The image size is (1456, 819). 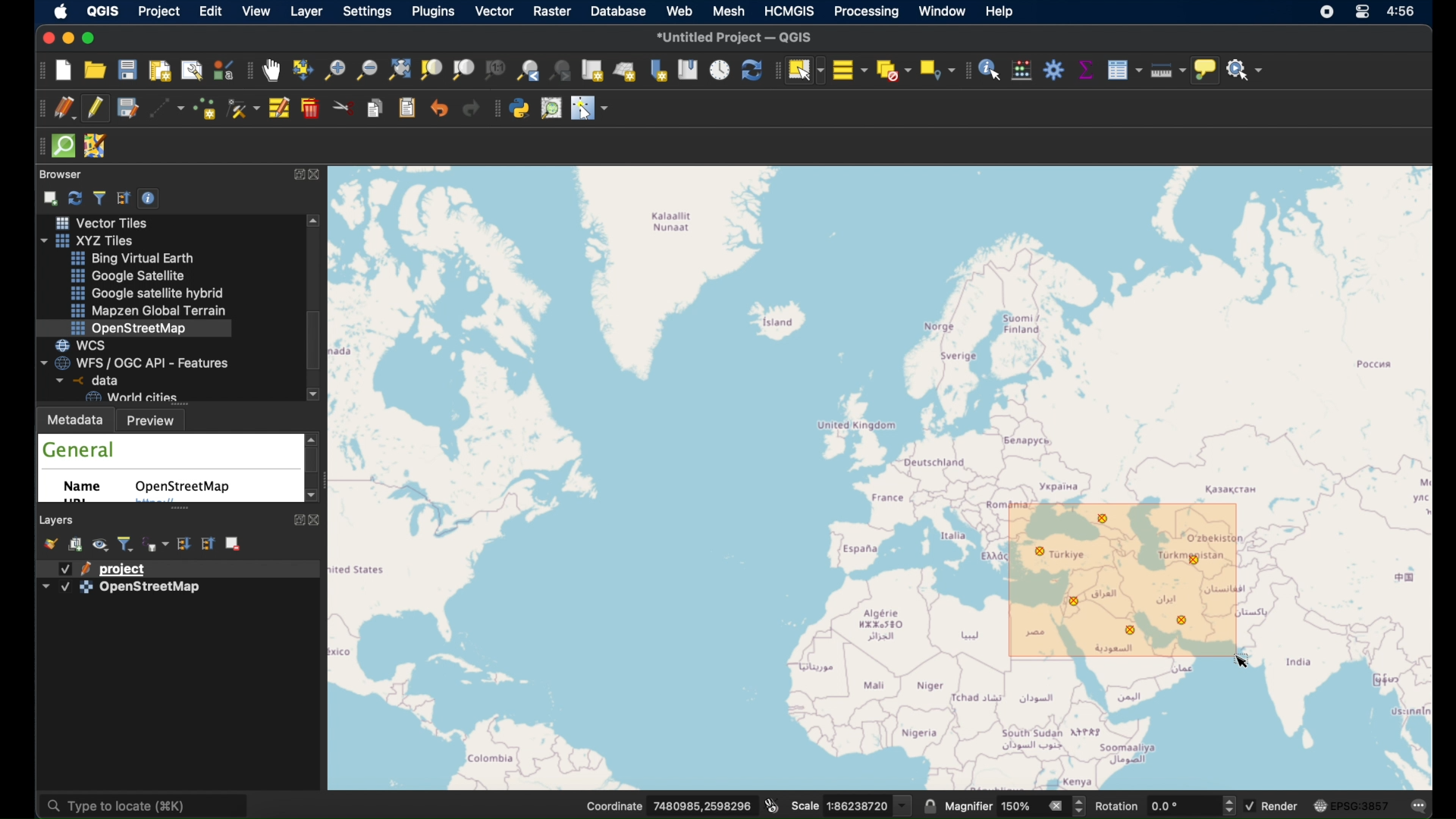 What do you see at coordinates (1350, 806) in the screenshot?
I see `current csr` at bounding box center [1350, 806].